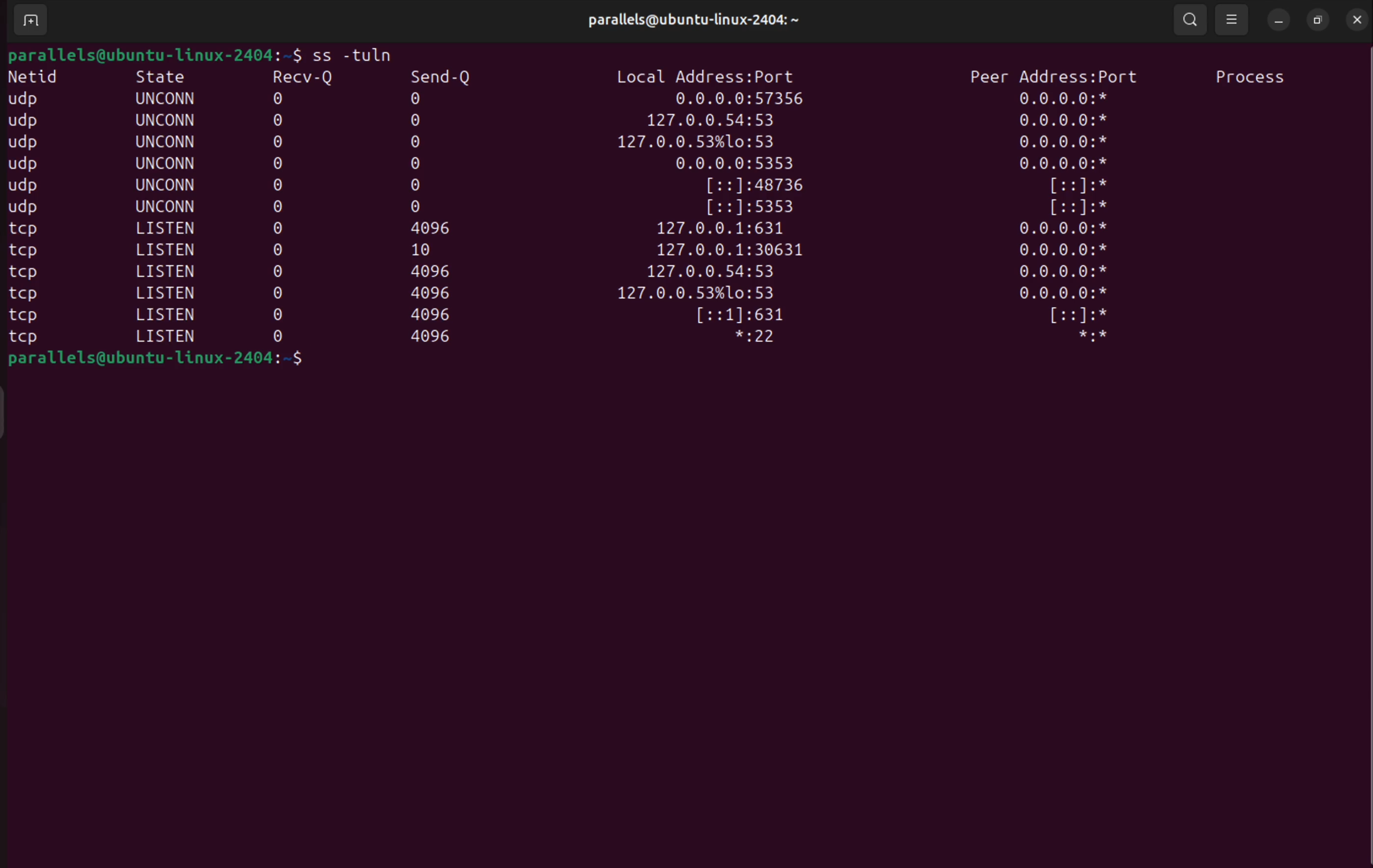 The width and height of the screenshot is (1373, 868). What do you see at coordinates (25, 120) in the screenshot?
I see `udp` at bounding box center [25, 120].